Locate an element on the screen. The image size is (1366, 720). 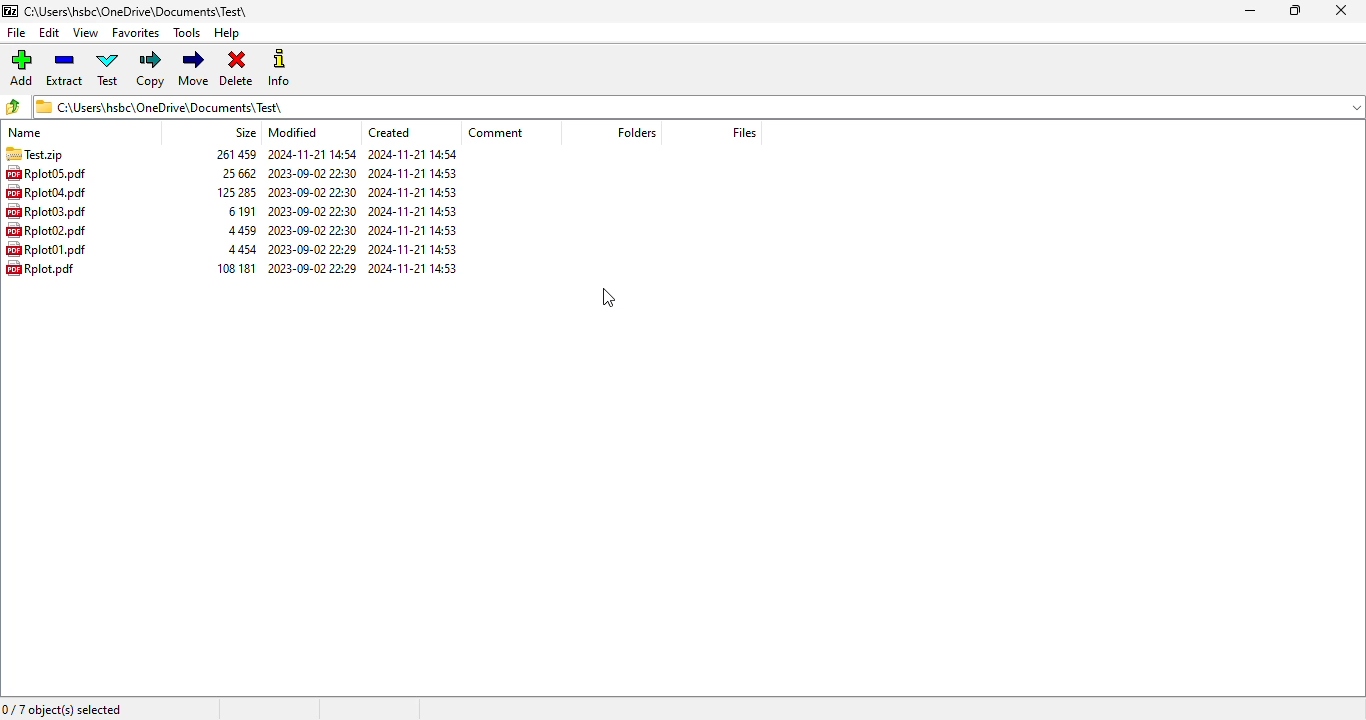
.zip archive created is located at coordinates (35, 154).